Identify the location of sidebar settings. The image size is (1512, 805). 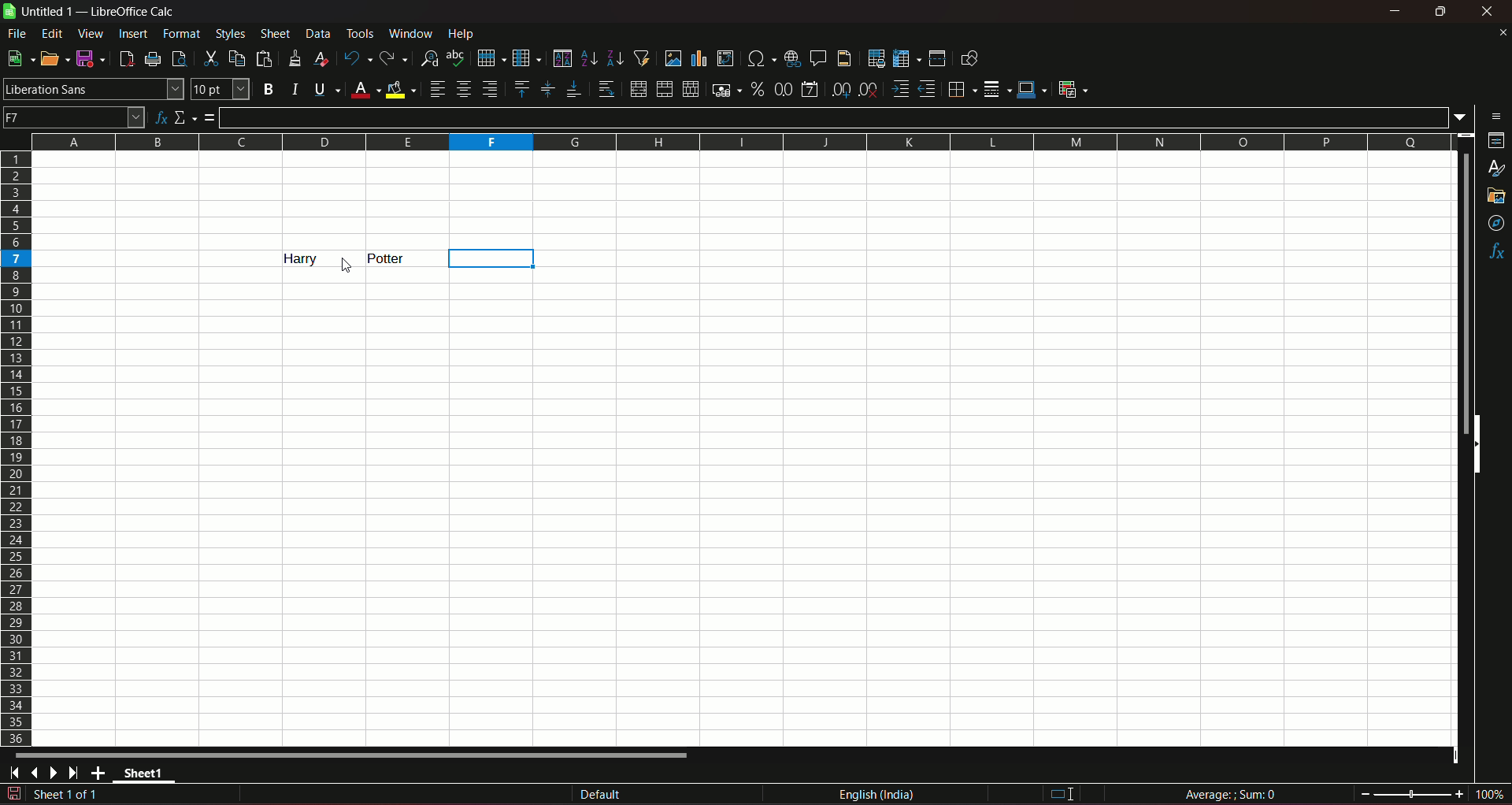
(1497, 115).